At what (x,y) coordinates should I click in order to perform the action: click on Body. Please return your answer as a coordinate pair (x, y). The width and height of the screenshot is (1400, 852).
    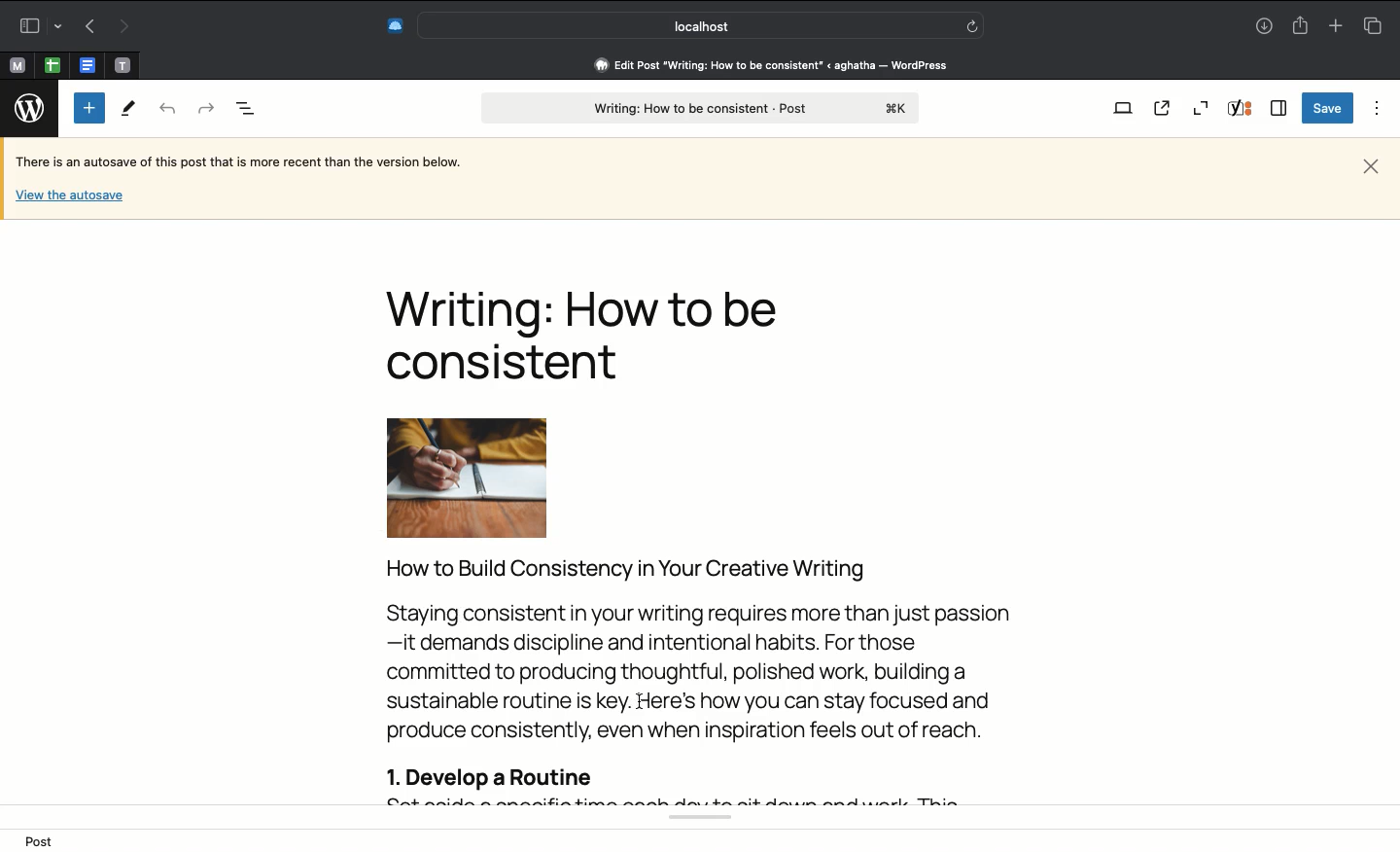
    Looking at the image, I should click on (711, 677).